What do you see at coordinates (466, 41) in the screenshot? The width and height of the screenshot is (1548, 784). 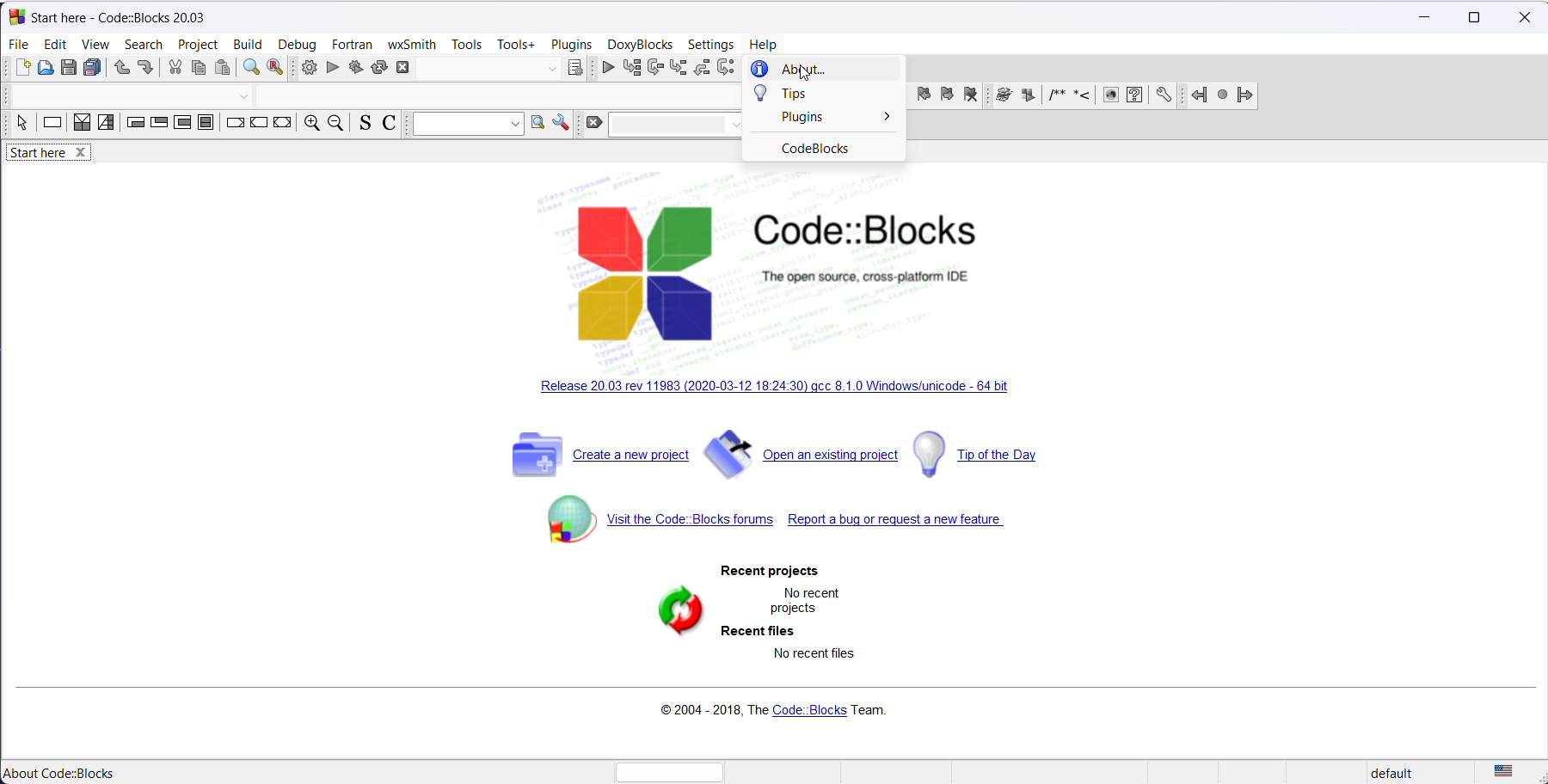 I see `tools` at bounding box center [466, 41].